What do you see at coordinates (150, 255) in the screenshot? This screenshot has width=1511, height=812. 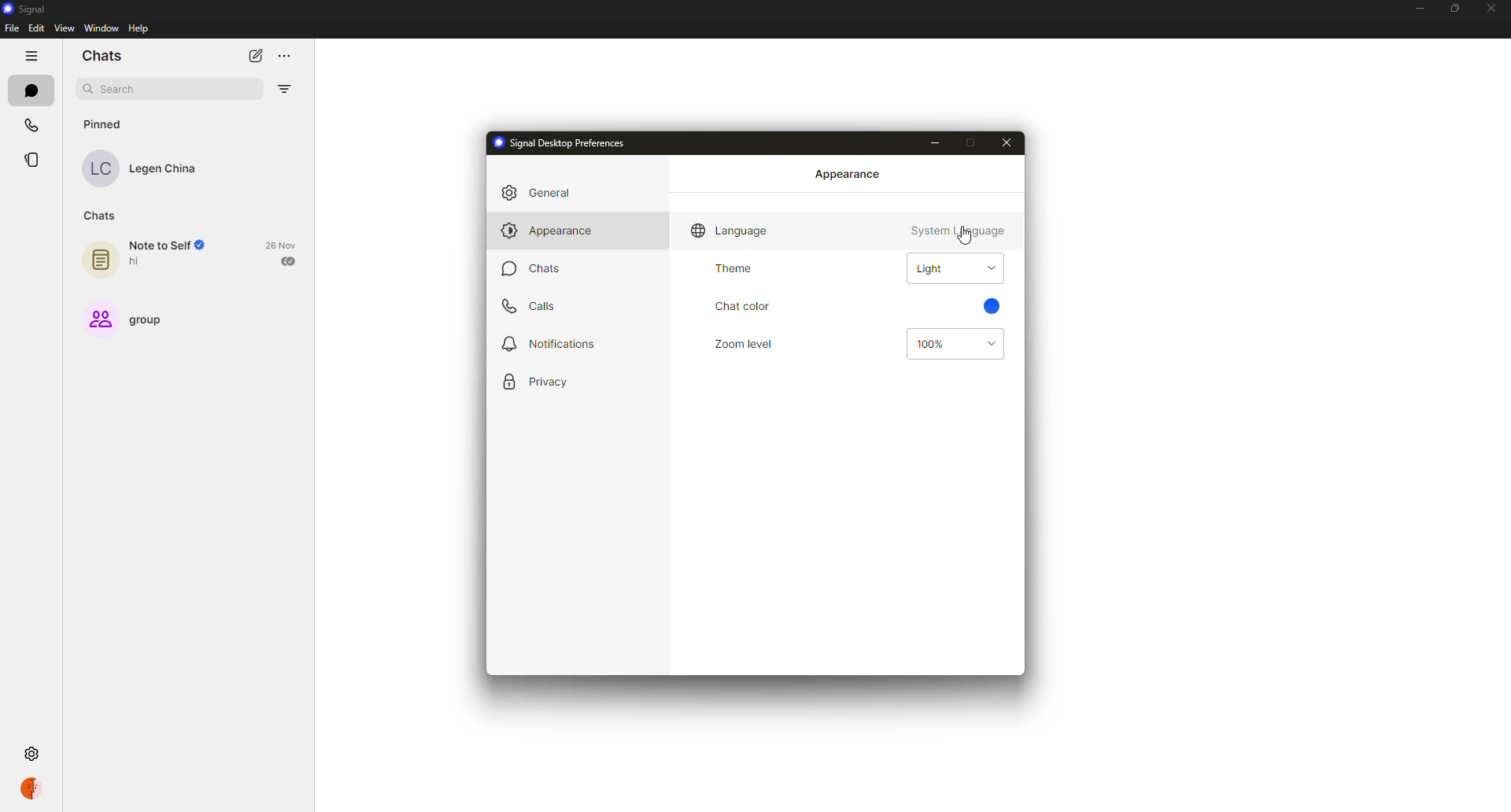 I see `note to self` at bounding box center [150, 255].